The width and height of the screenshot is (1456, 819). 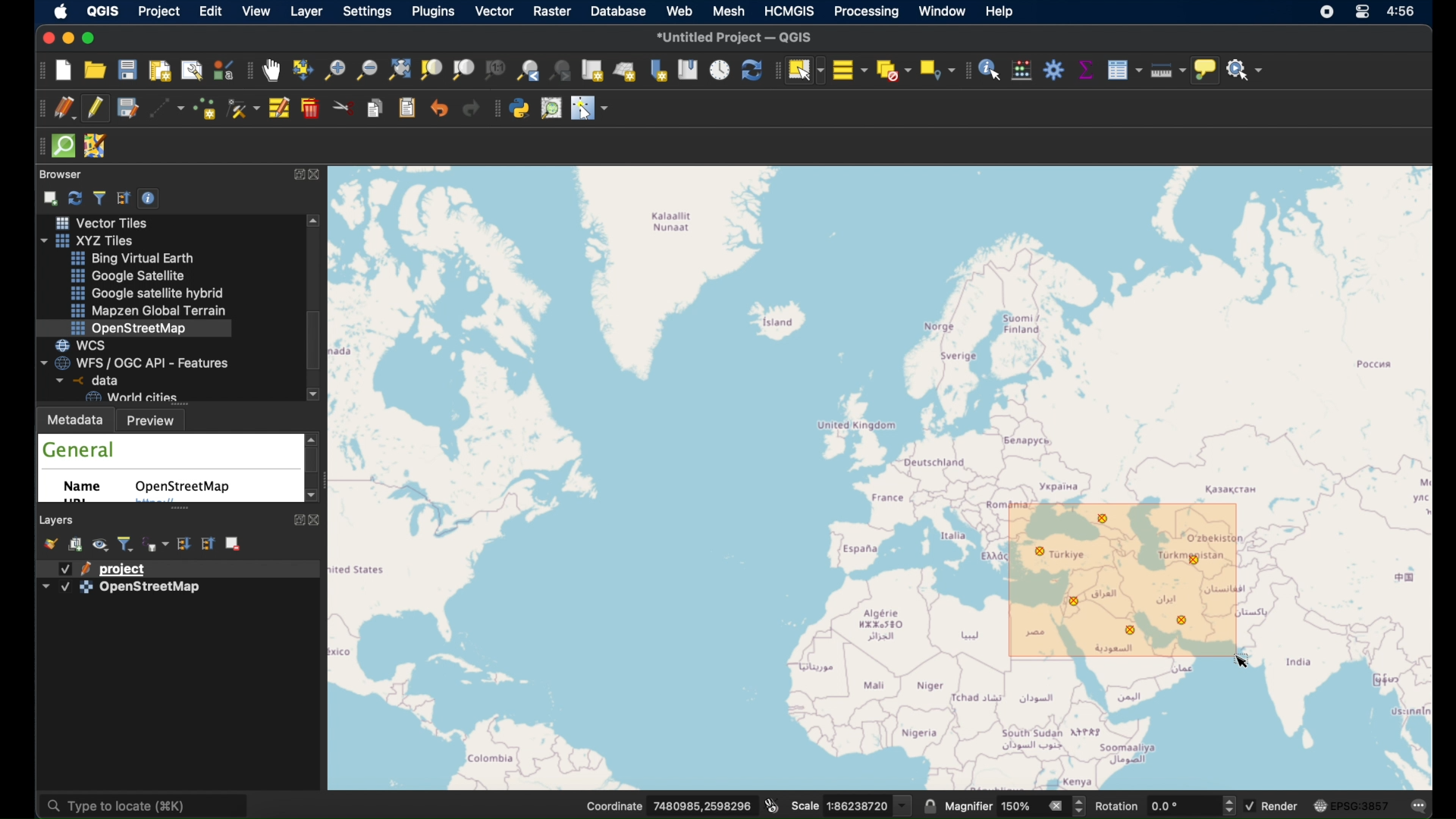 What do you see at coordinates (94, 240) in the screenshot?
I see `xyzzy tiles` at bounding box center [94, 240].